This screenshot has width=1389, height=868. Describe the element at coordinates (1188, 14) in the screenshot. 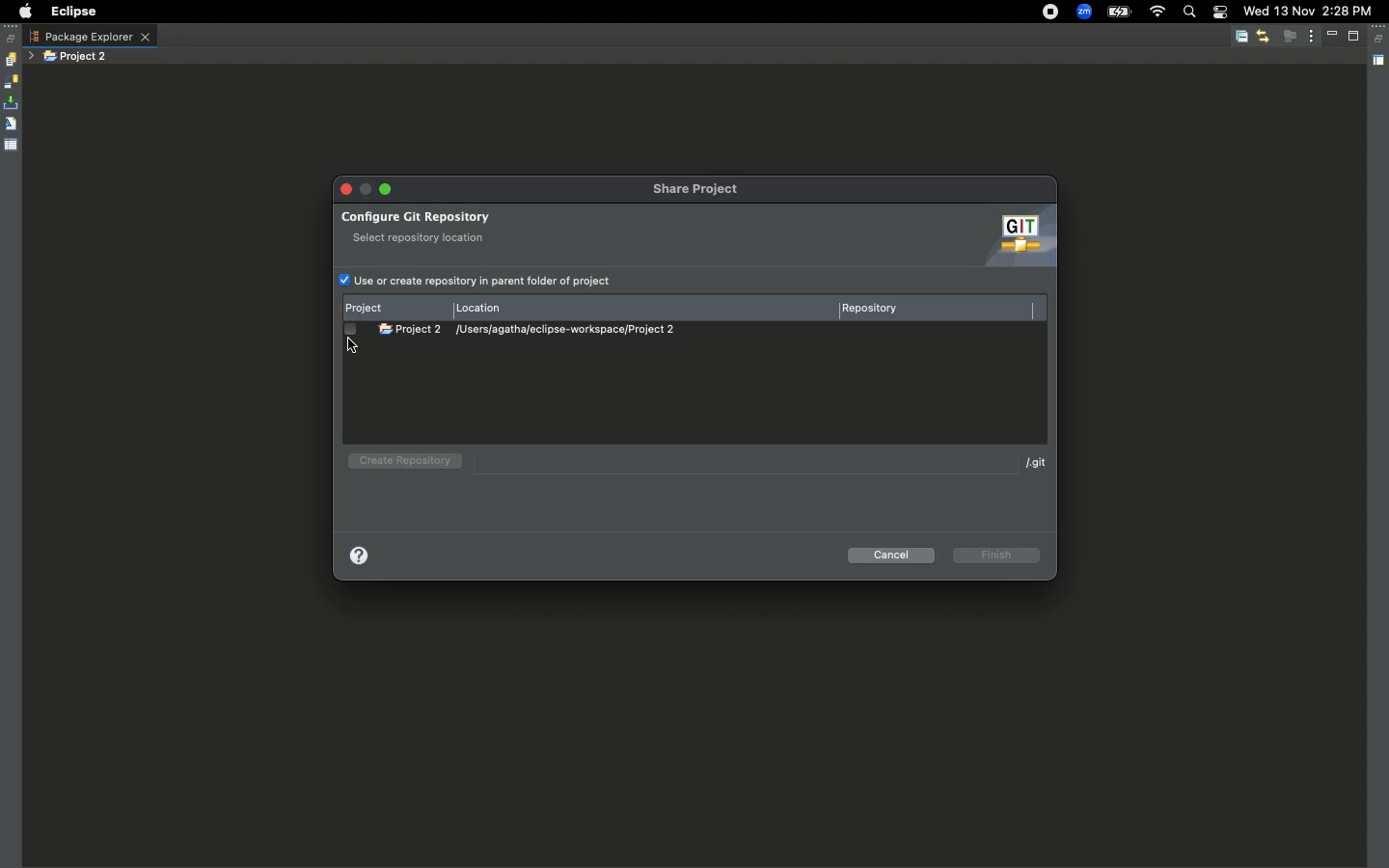

I see `Search` at that location.